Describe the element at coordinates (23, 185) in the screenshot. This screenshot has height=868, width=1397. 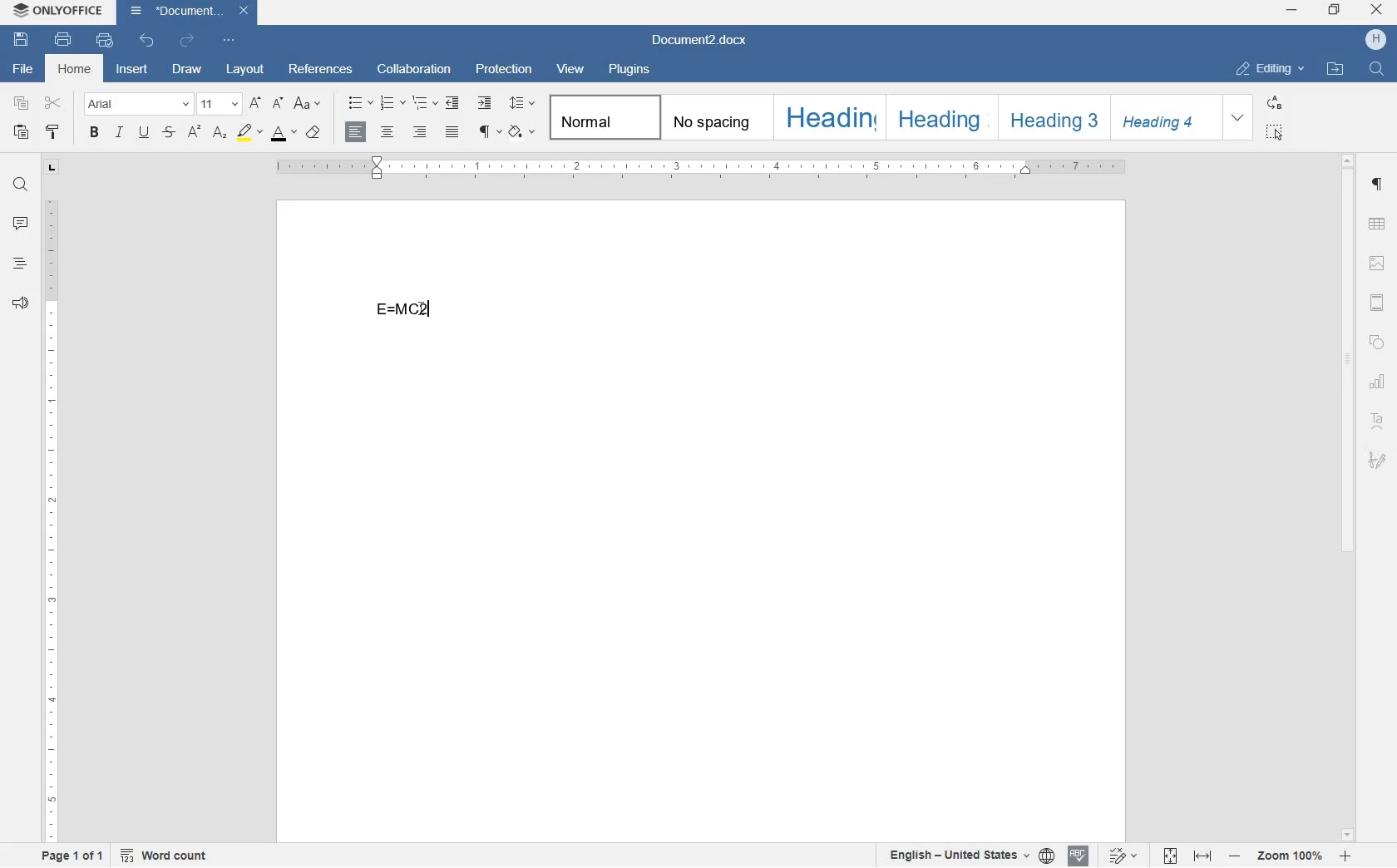
I see `find` at that location.